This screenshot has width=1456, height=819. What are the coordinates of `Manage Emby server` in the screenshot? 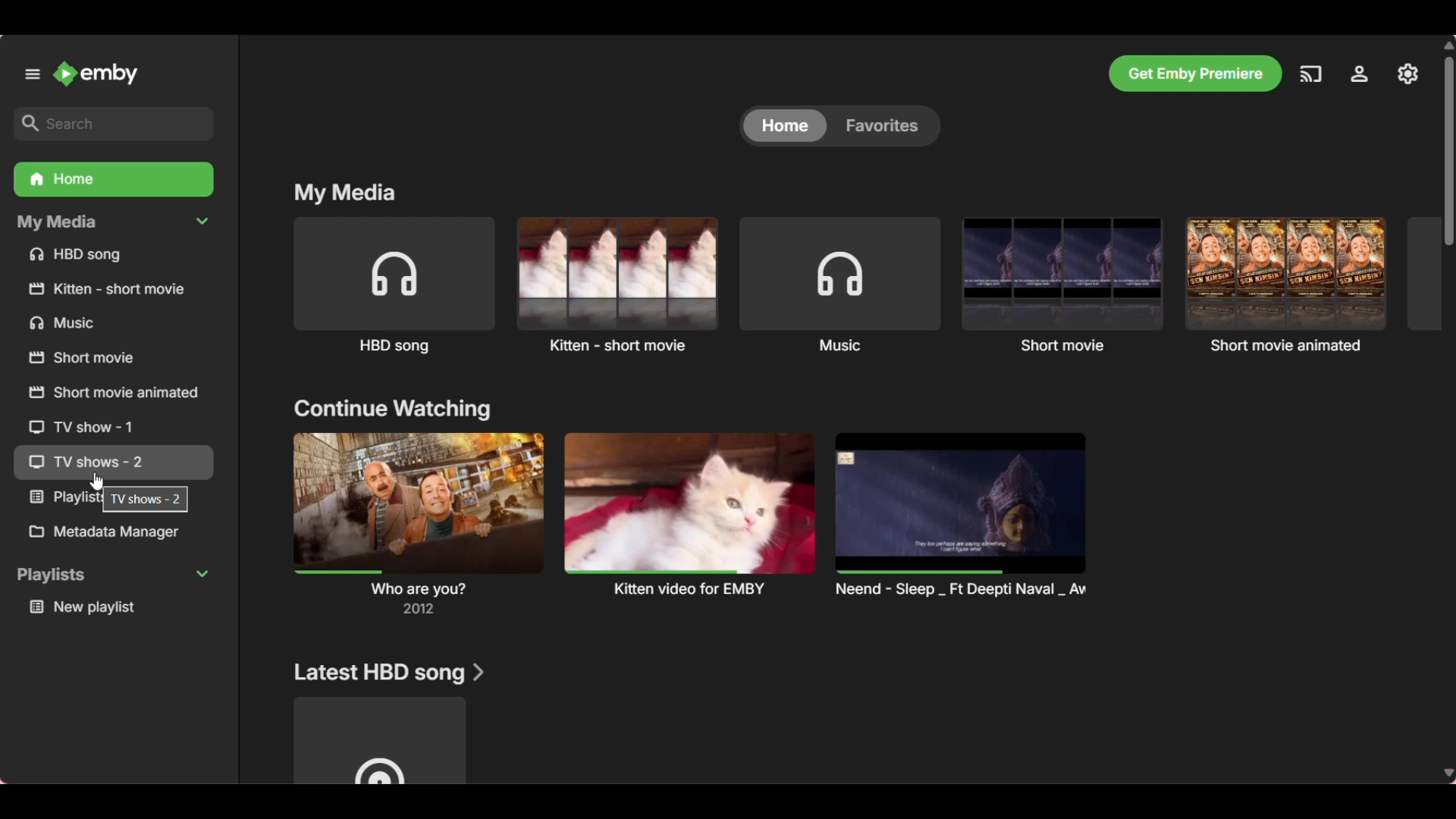 It's located at (1407, 74).